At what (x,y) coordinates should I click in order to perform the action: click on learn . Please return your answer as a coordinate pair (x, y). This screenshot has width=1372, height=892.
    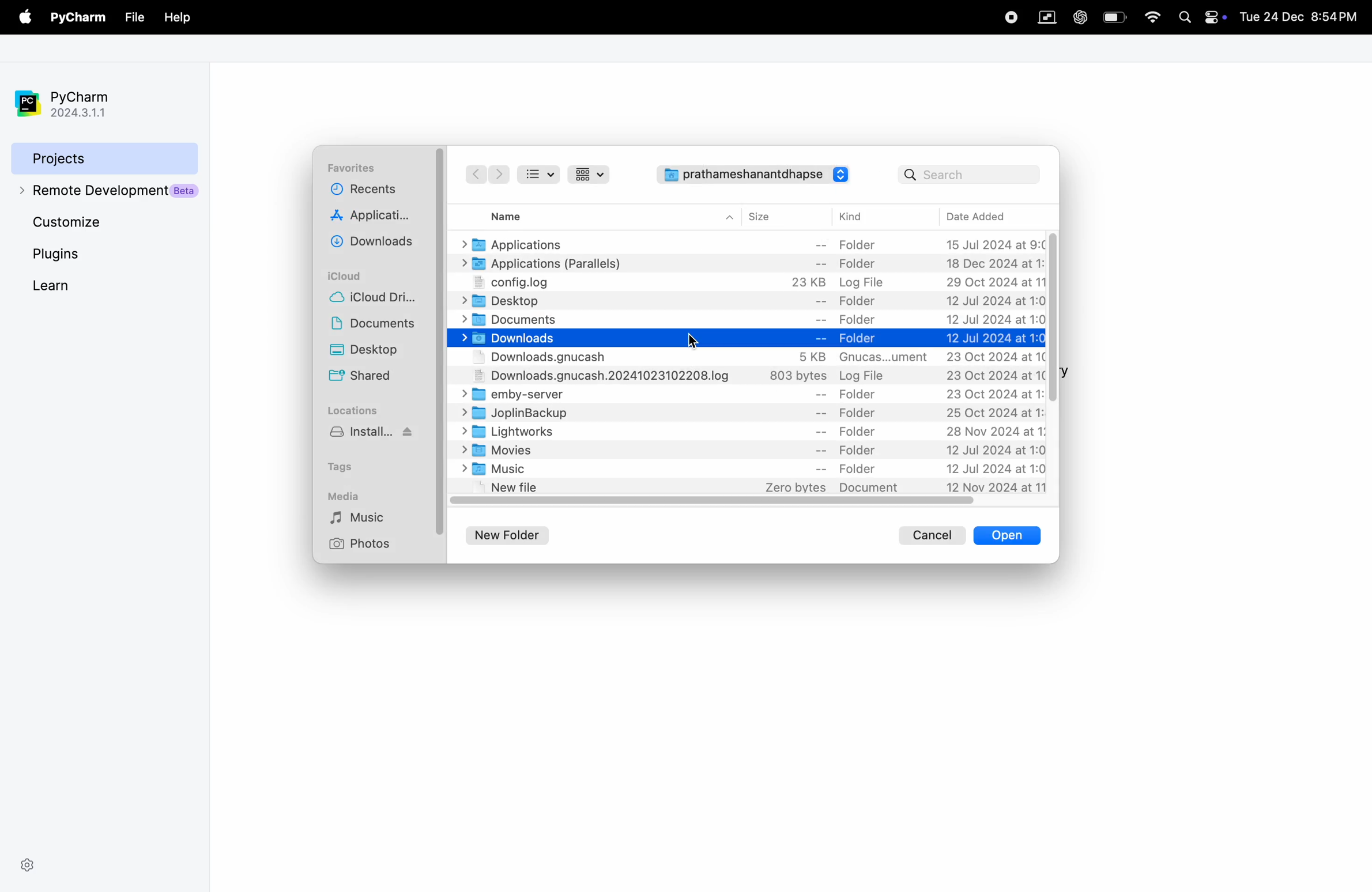
    Looking at the image, I should click on (84, 285).